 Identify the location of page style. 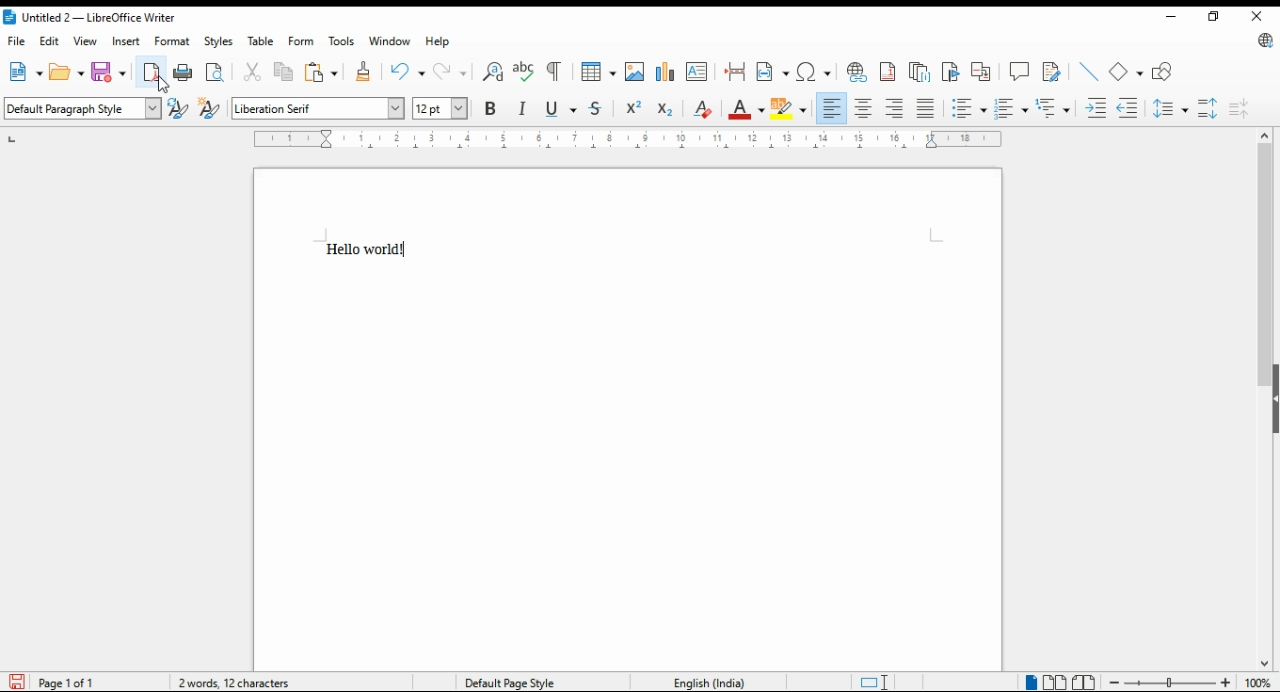
(524, 682).